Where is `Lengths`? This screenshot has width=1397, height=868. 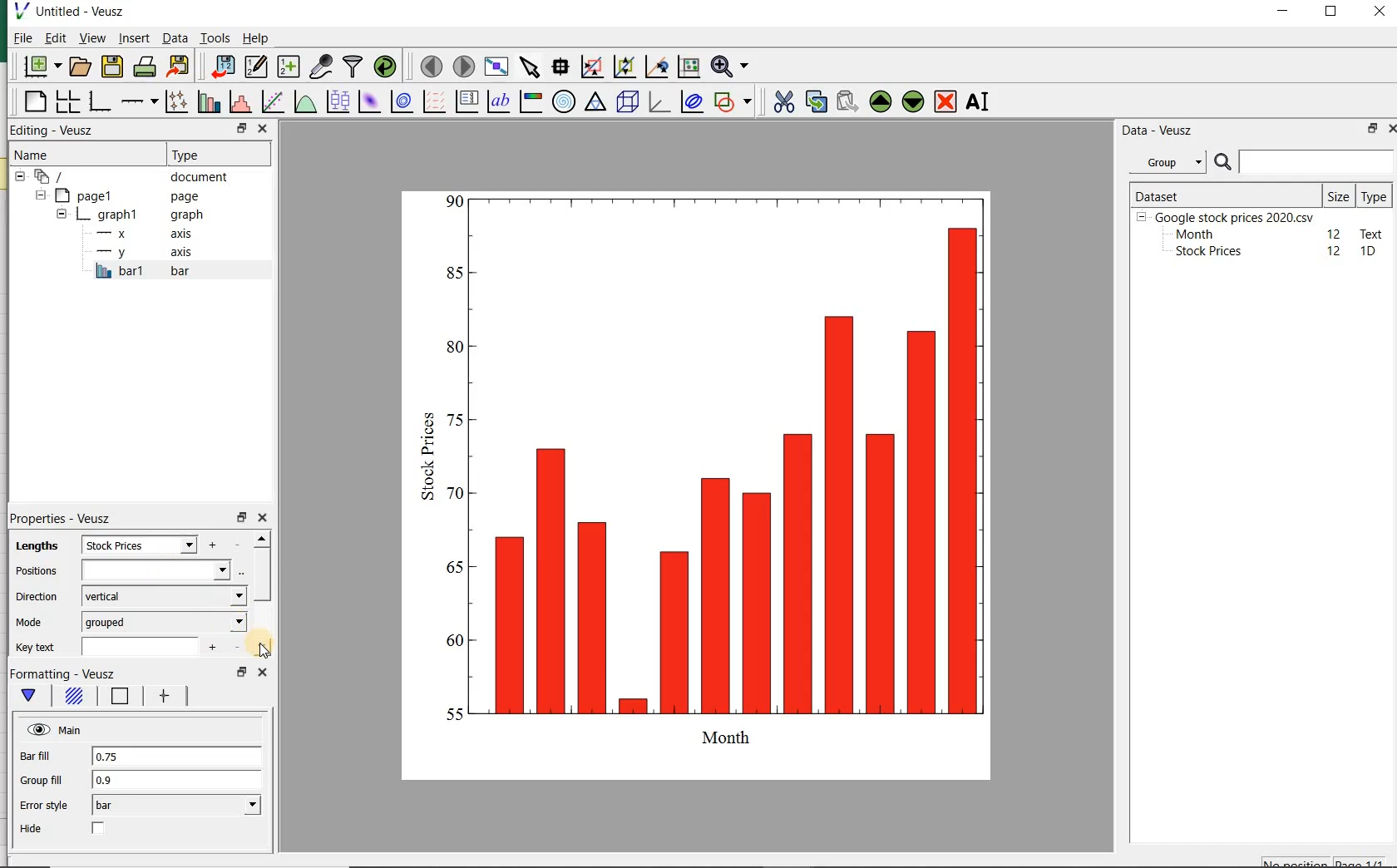 Lengths is located at coordinates (32, 547).